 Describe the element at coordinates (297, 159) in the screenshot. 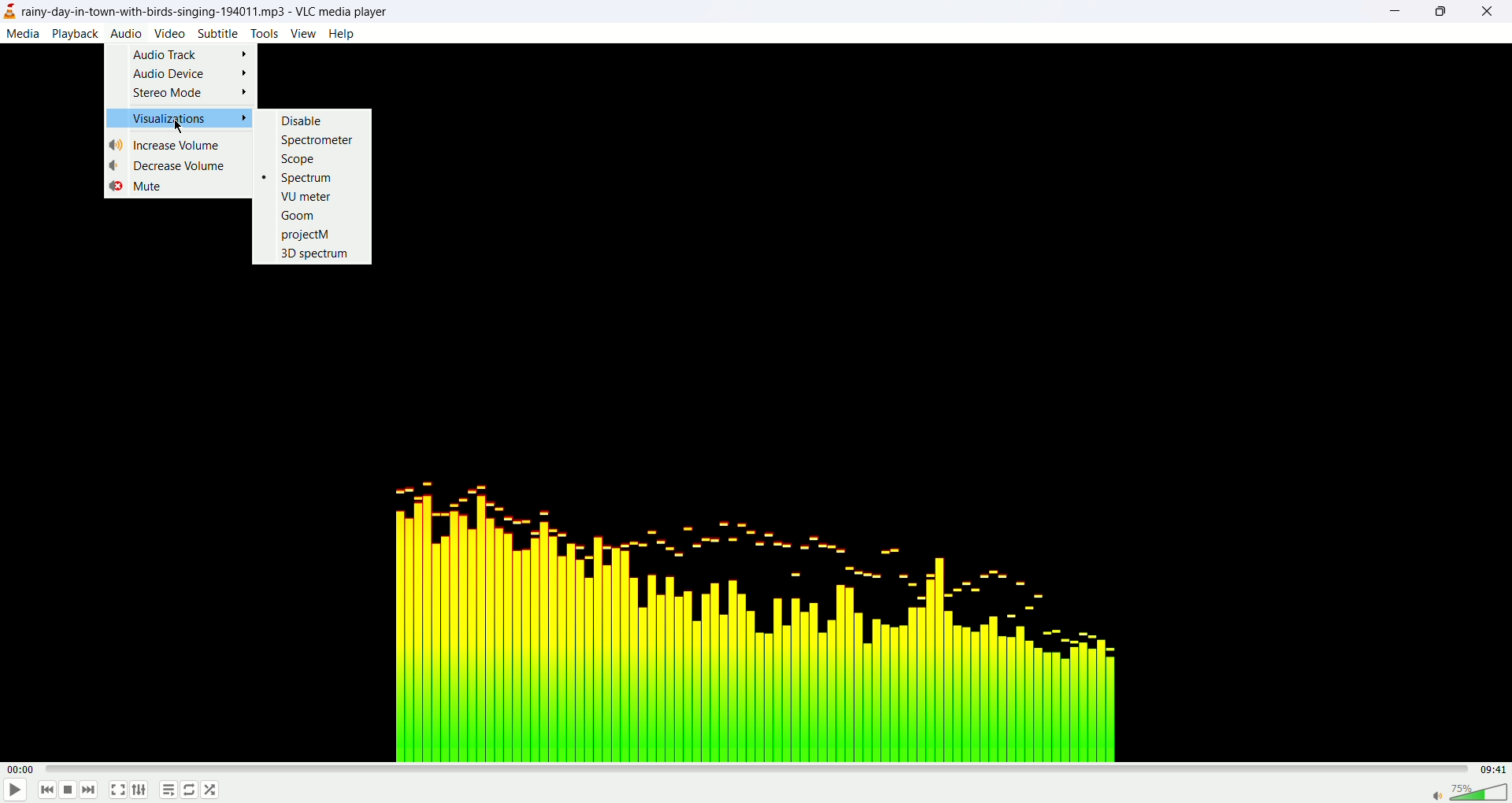

I see `scope` at that location.